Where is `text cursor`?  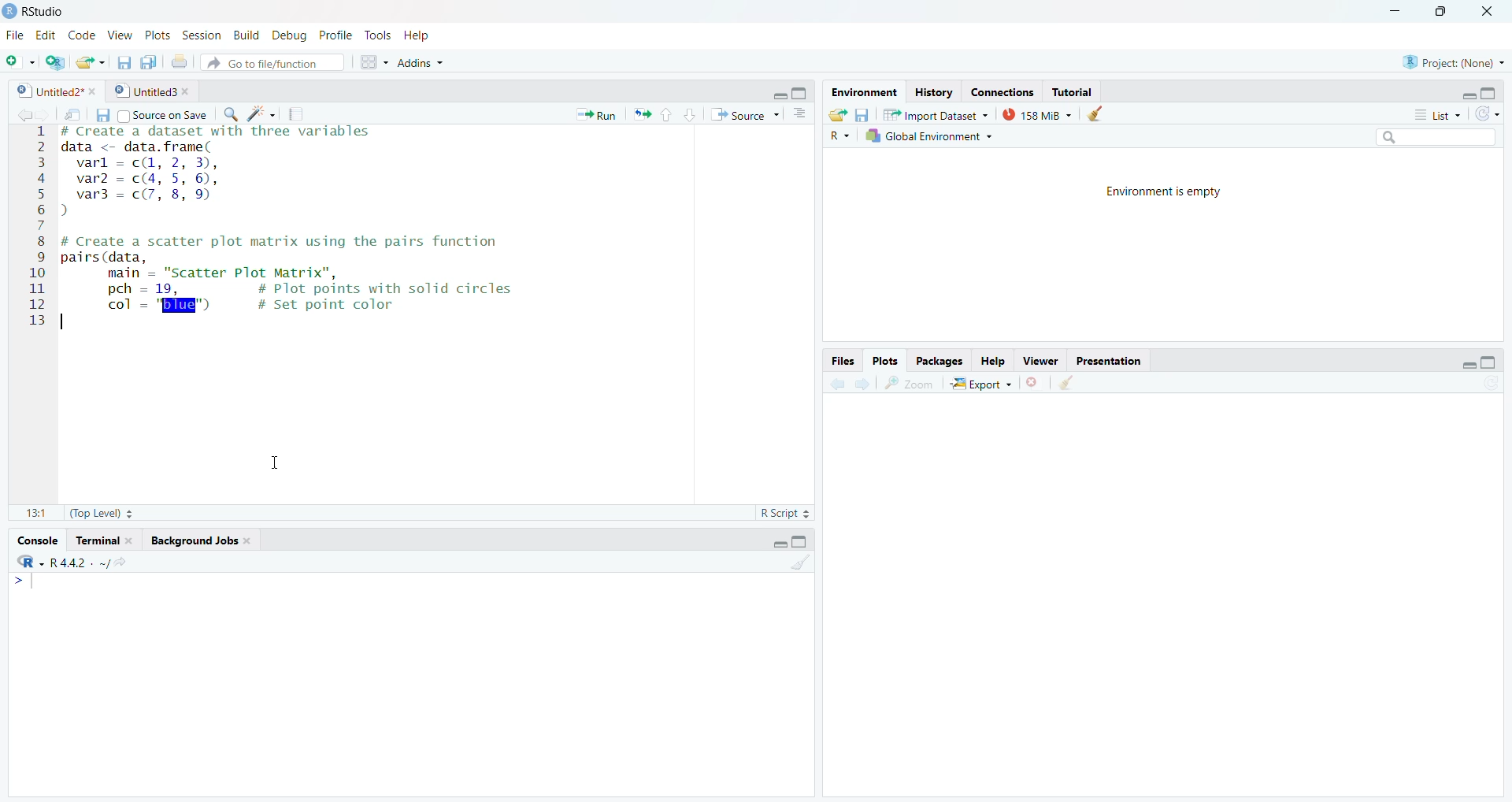
text cursor is located at coordinates (277, 463).